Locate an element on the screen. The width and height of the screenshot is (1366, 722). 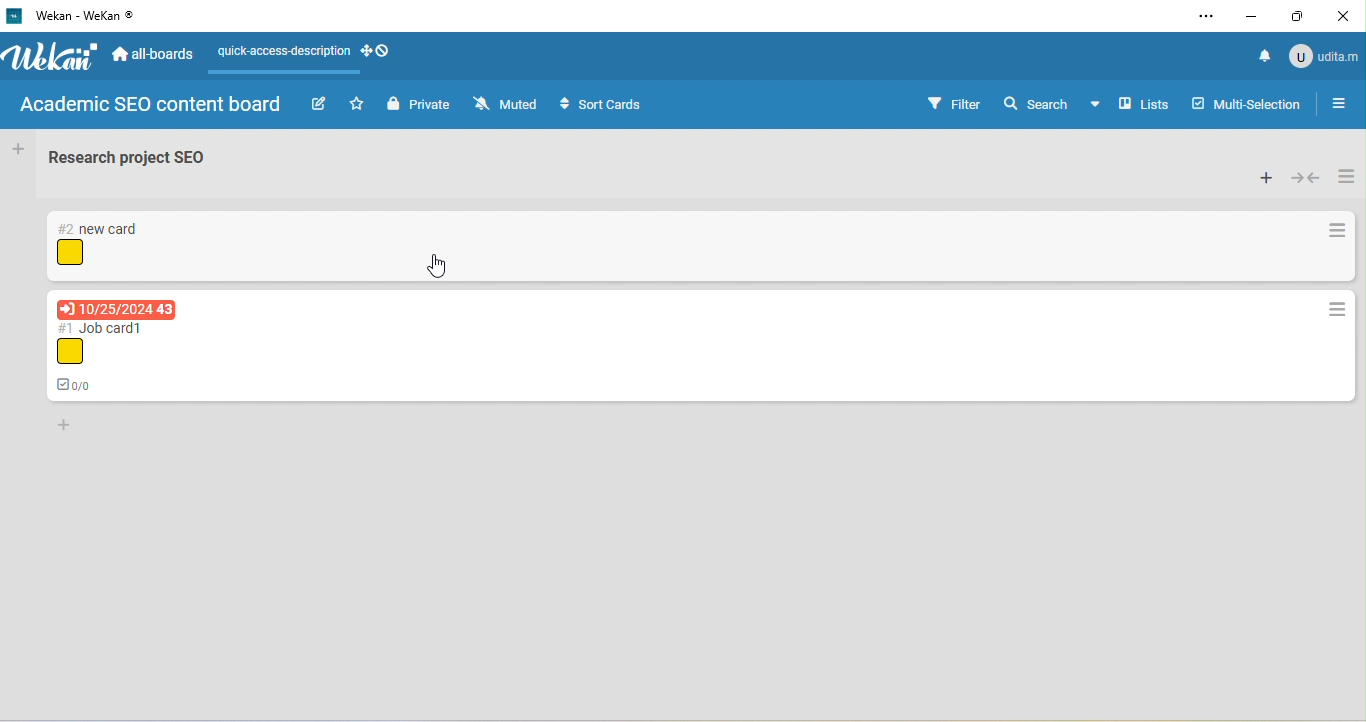
toggle sidebar is located at coordinates (1345, 103).